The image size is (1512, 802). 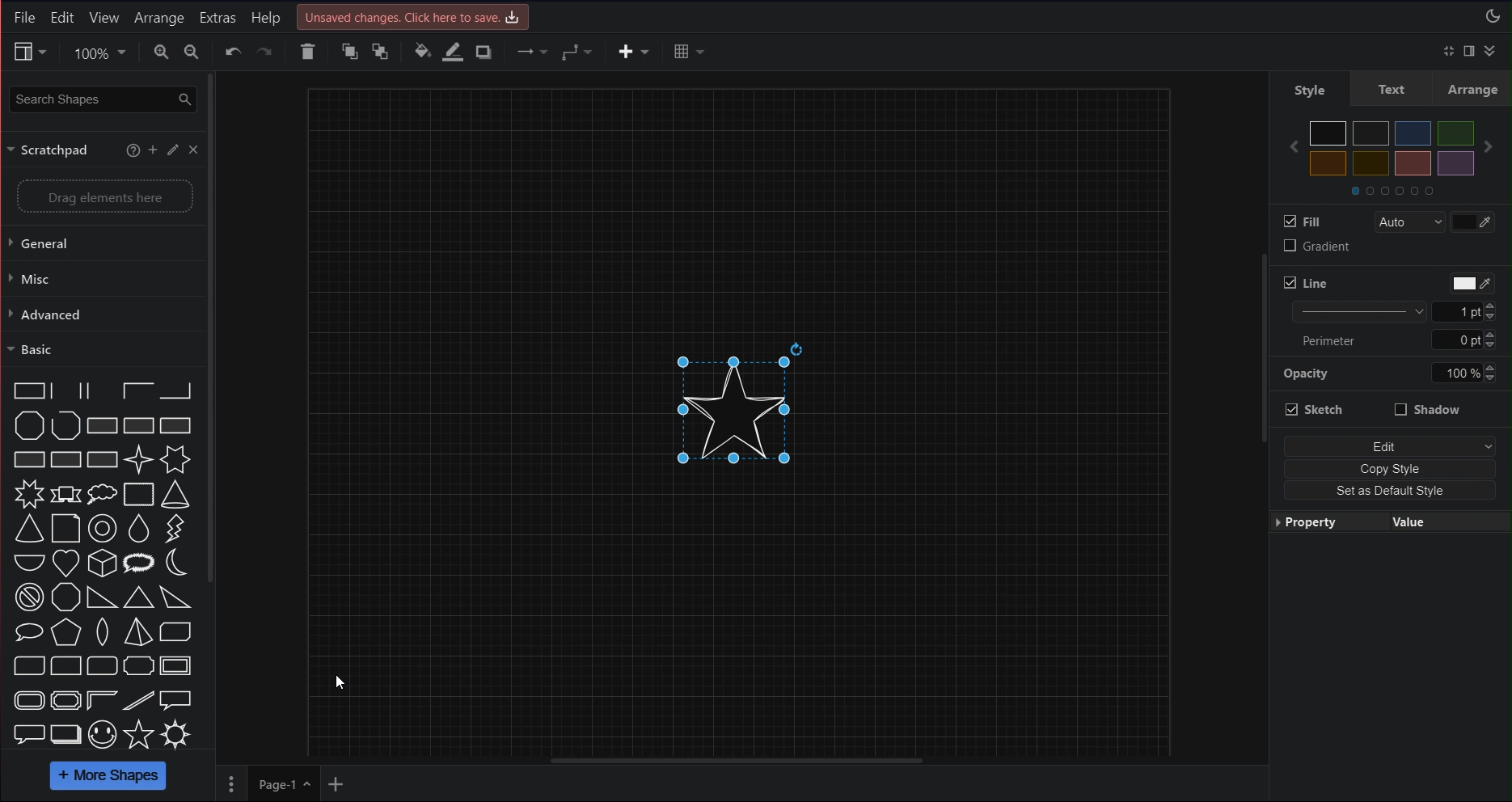 What do you see at coordinates (175, 459) in the screenshot?
I see `6 point star` at bounding box center [175, 459].